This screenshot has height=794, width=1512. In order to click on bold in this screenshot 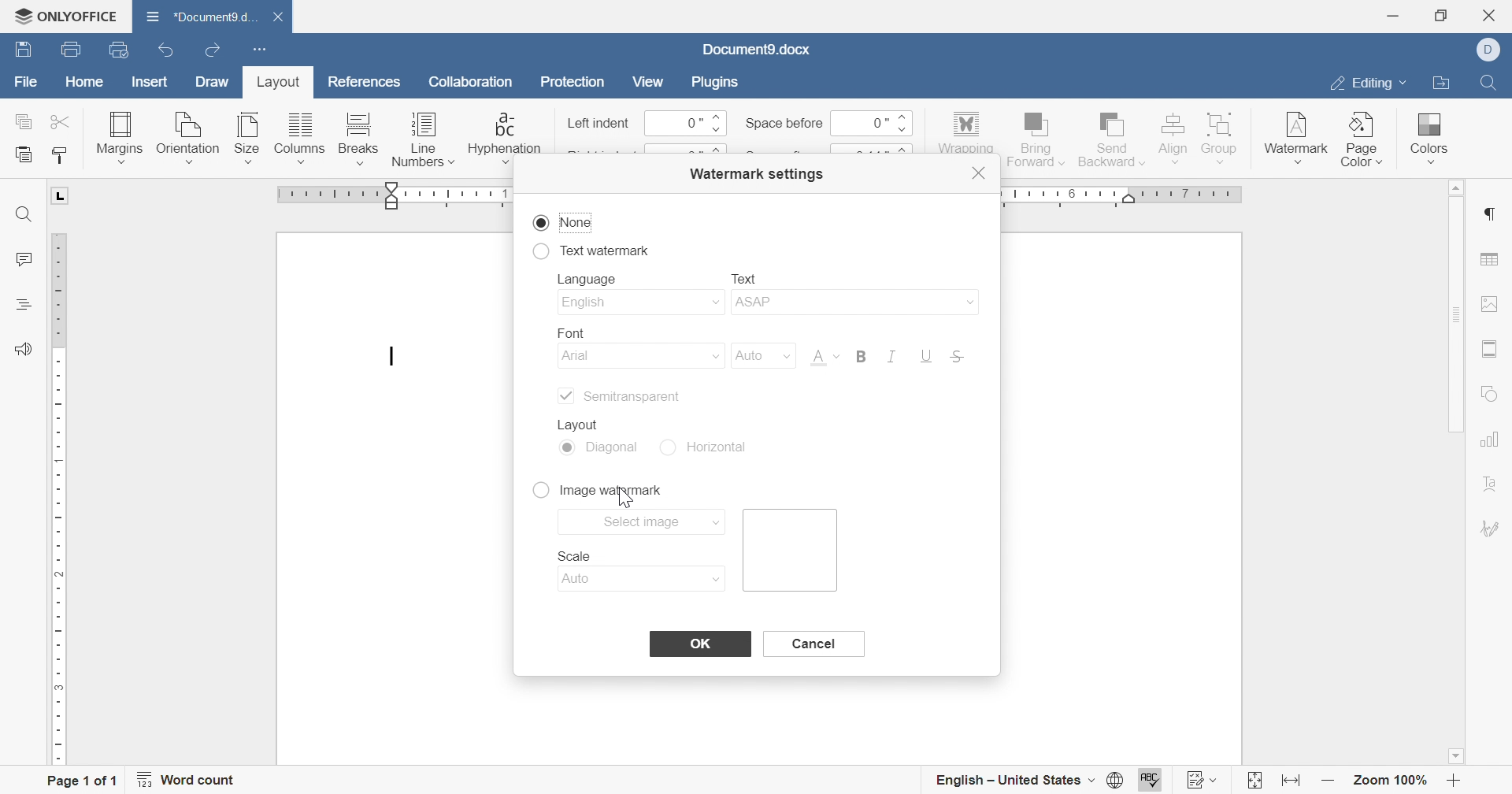, I will do `click(860, 355)`.